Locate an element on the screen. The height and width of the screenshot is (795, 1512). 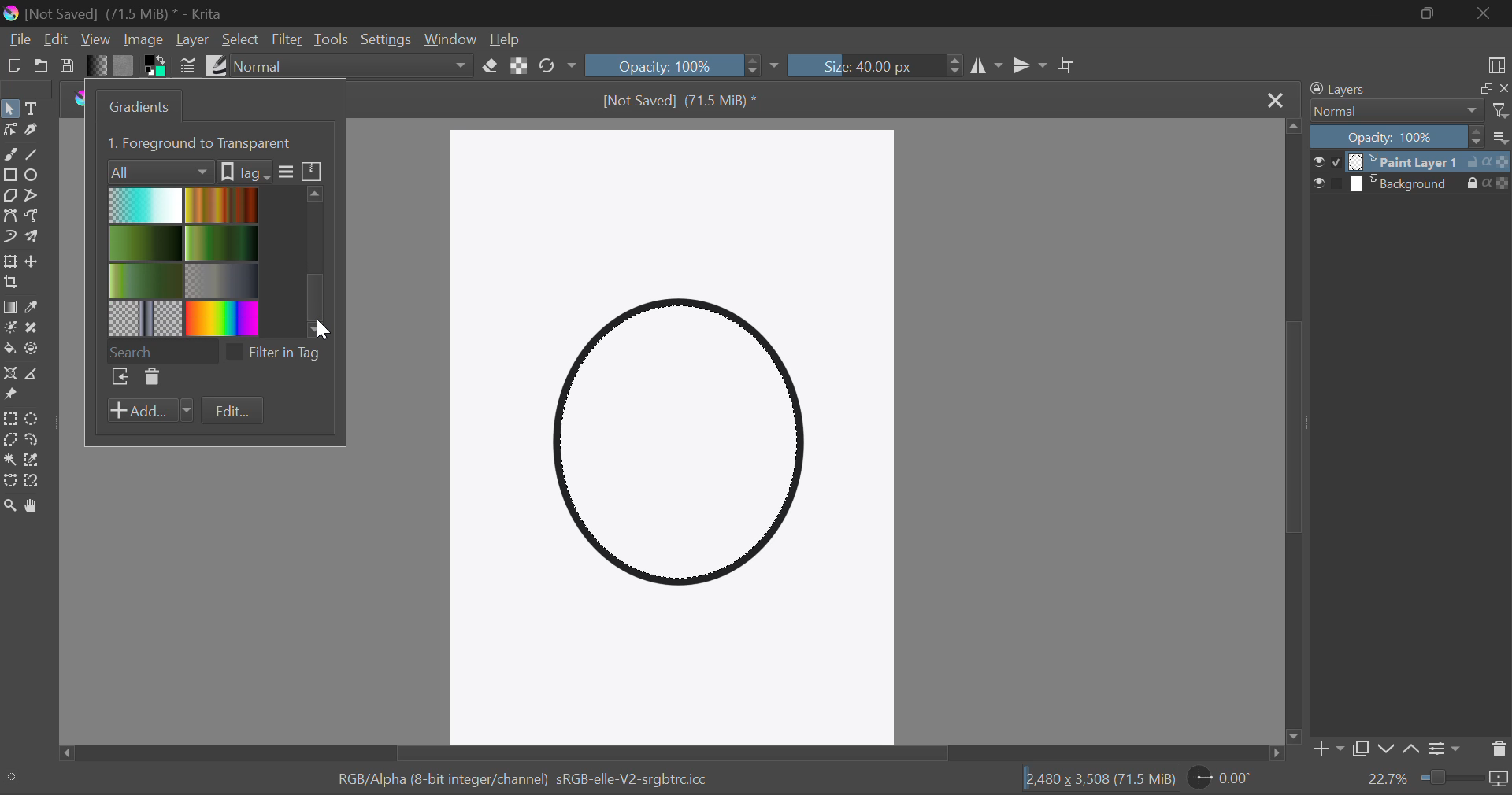
File is located at coordinates (18, 39).